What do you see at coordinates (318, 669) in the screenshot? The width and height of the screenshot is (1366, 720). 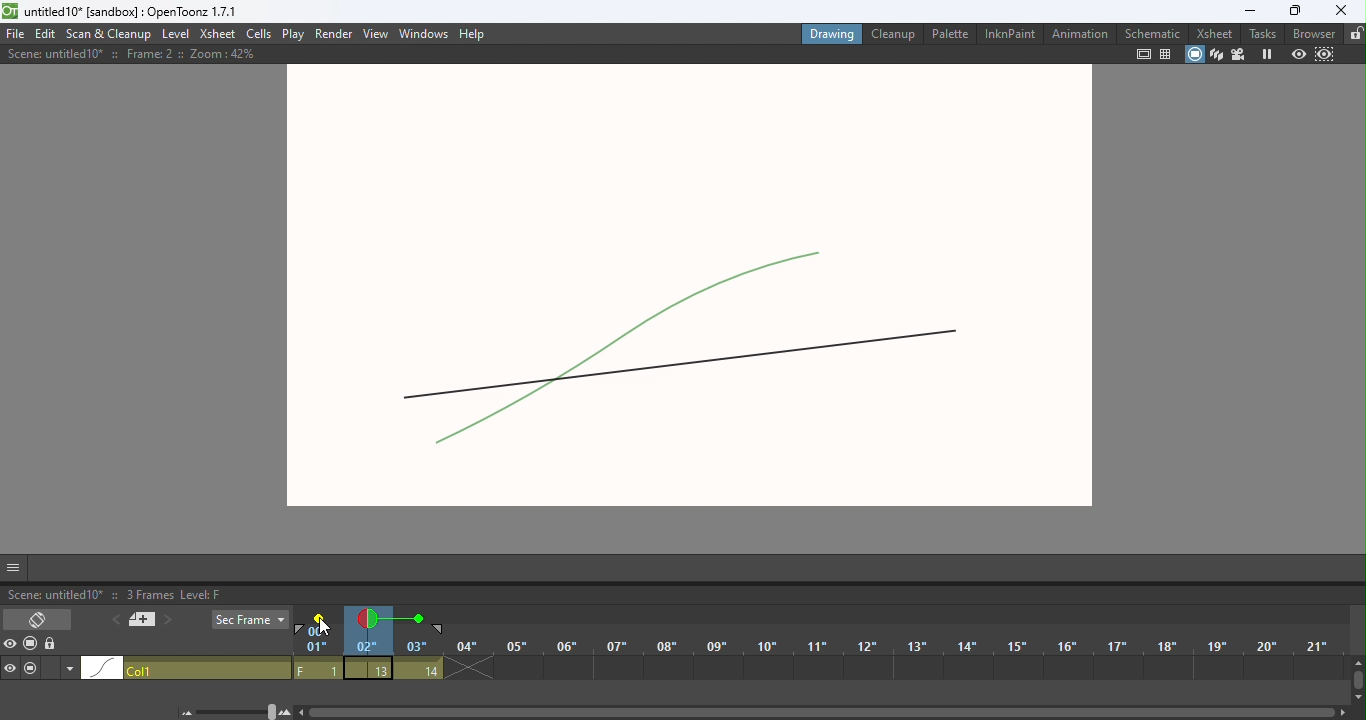 I see `F1` at bounding box center [318, 669].